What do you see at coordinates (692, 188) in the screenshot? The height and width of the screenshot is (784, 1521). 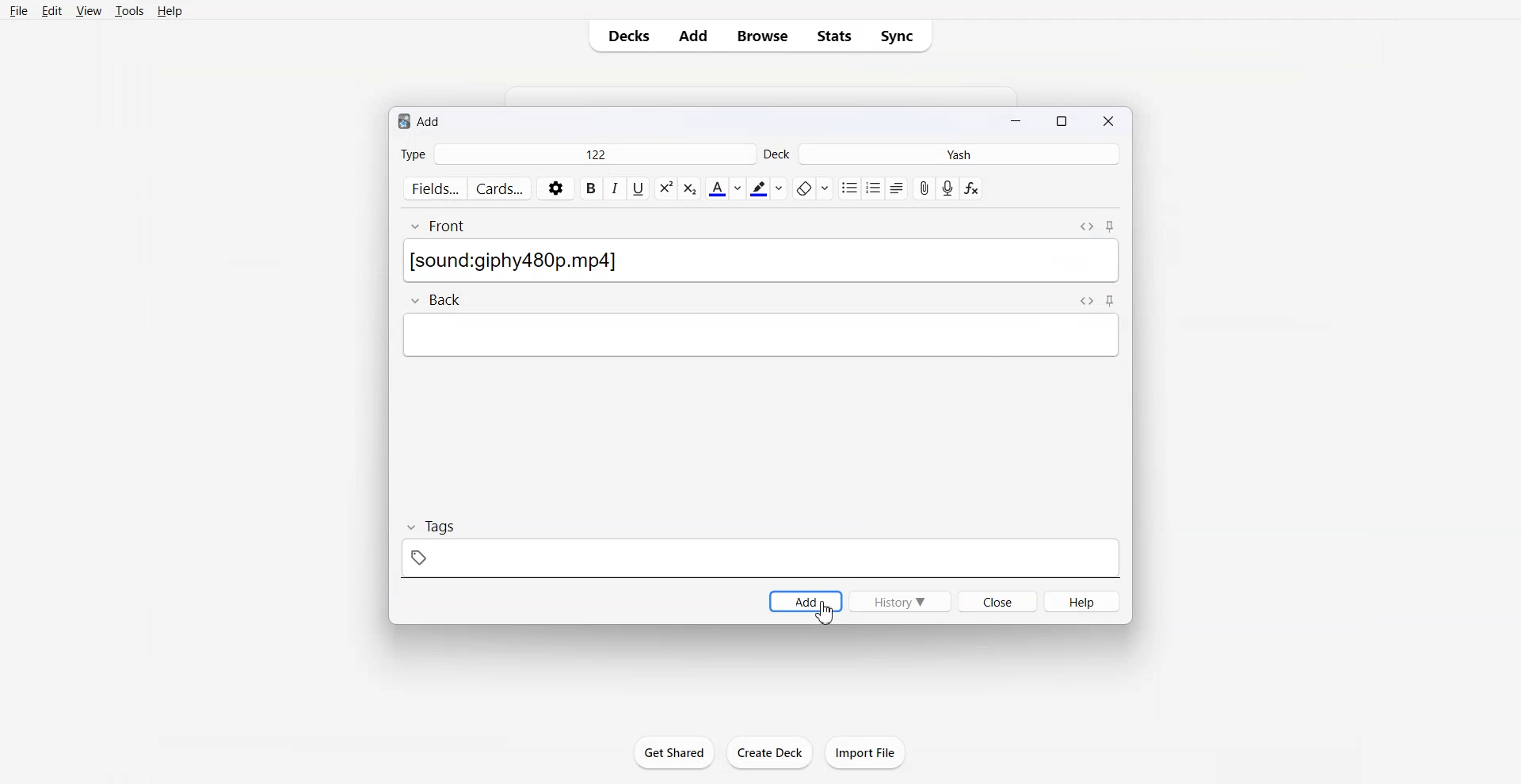 I see `Superscript` at bounding box center [692, 188].